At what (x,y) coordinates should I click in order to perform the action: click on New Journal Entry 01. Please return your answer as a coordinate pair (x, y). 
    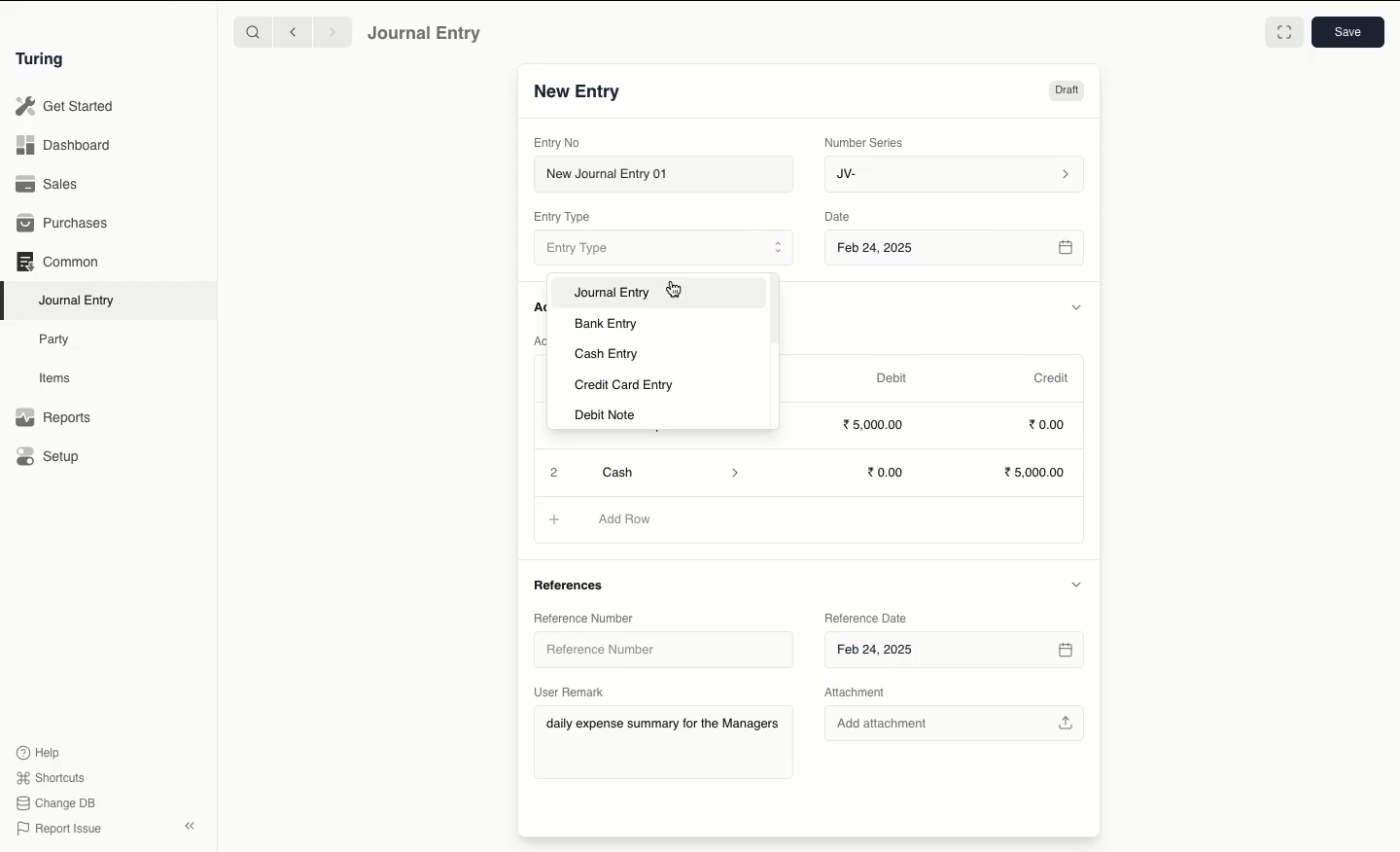
    Looking at the image, I should click on (662, 173).